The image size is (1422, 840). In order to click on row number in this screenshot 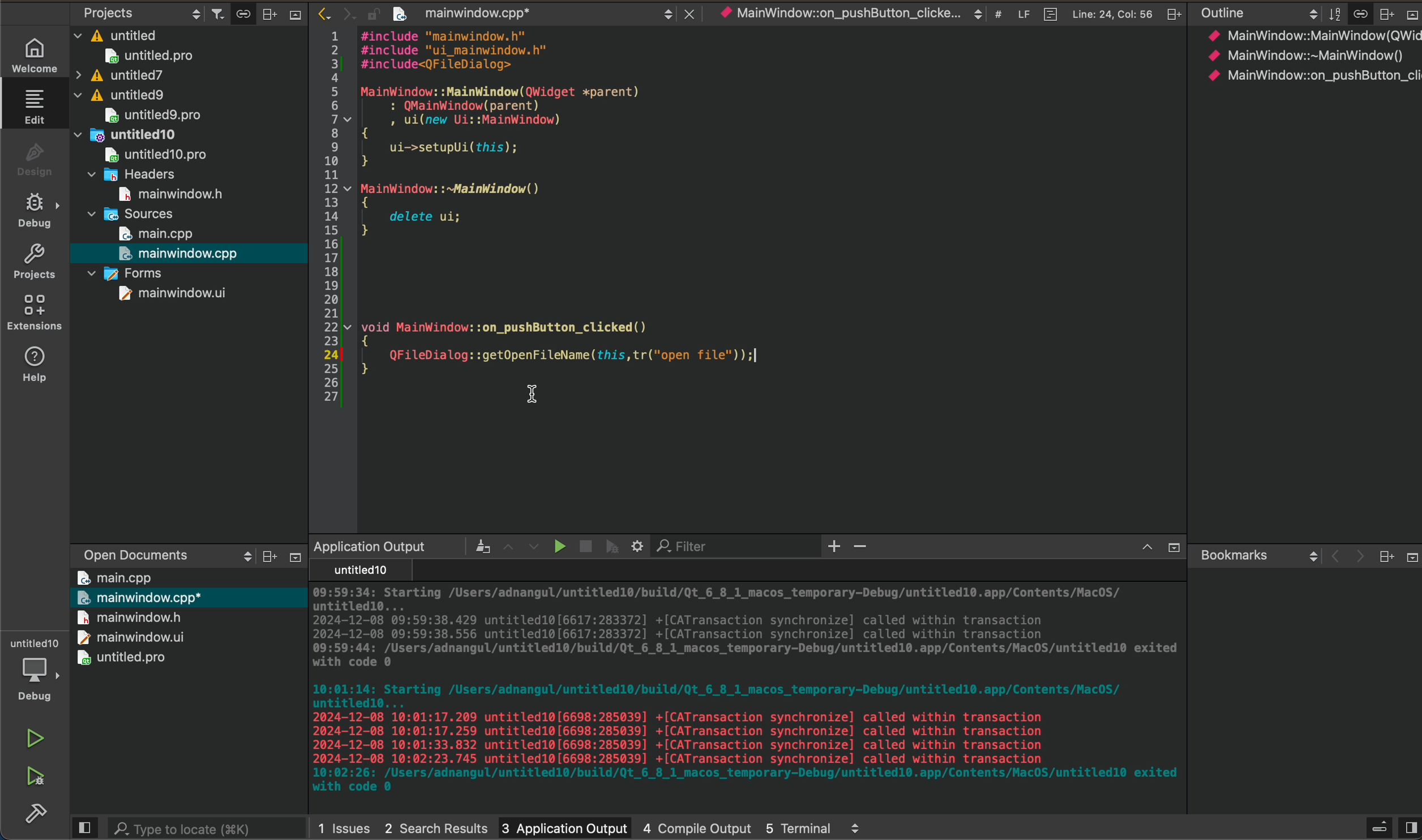, I will do `click(325, 219)`.